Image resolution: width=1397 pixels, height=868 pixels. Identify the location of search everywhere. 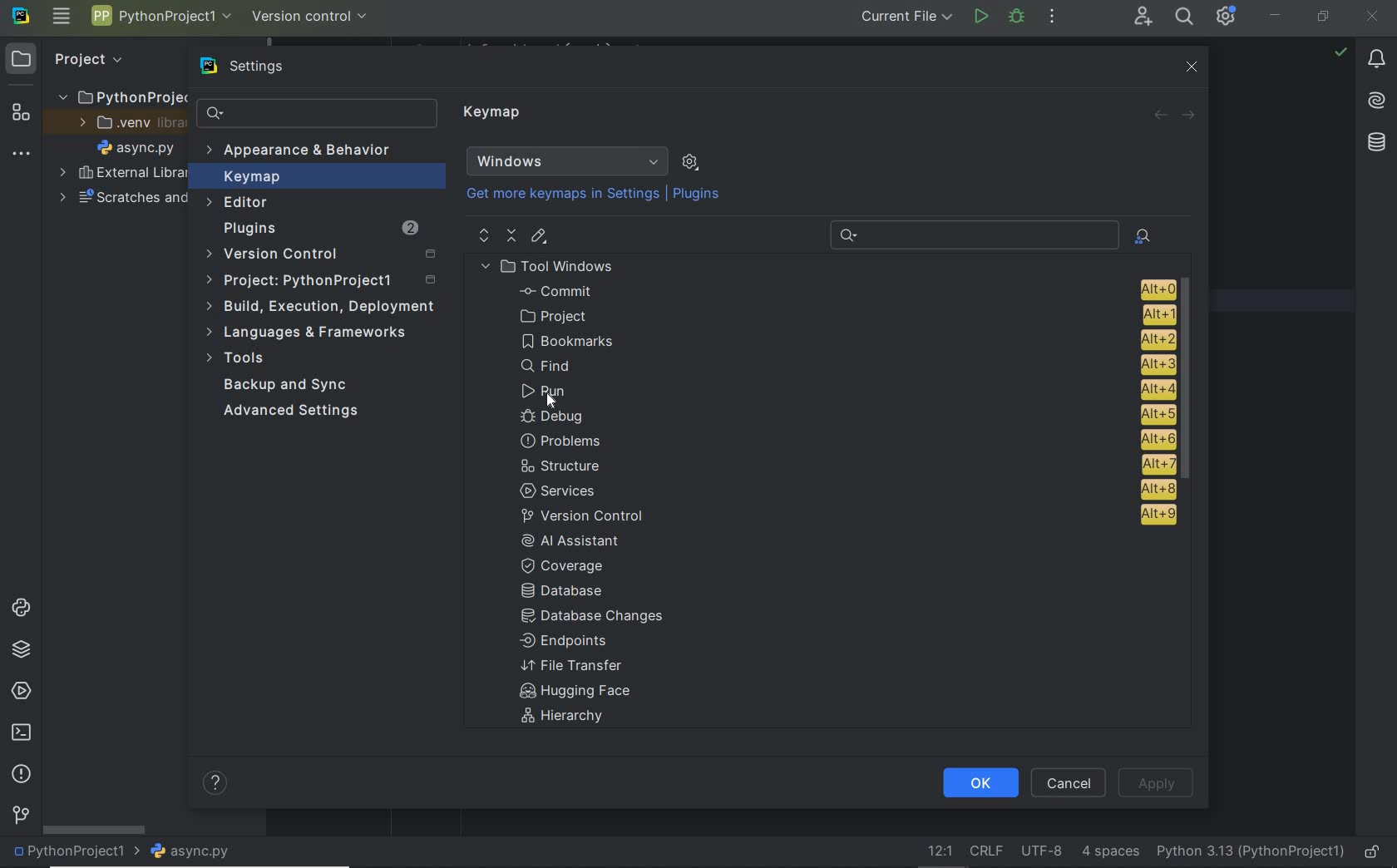
(1185, 17).